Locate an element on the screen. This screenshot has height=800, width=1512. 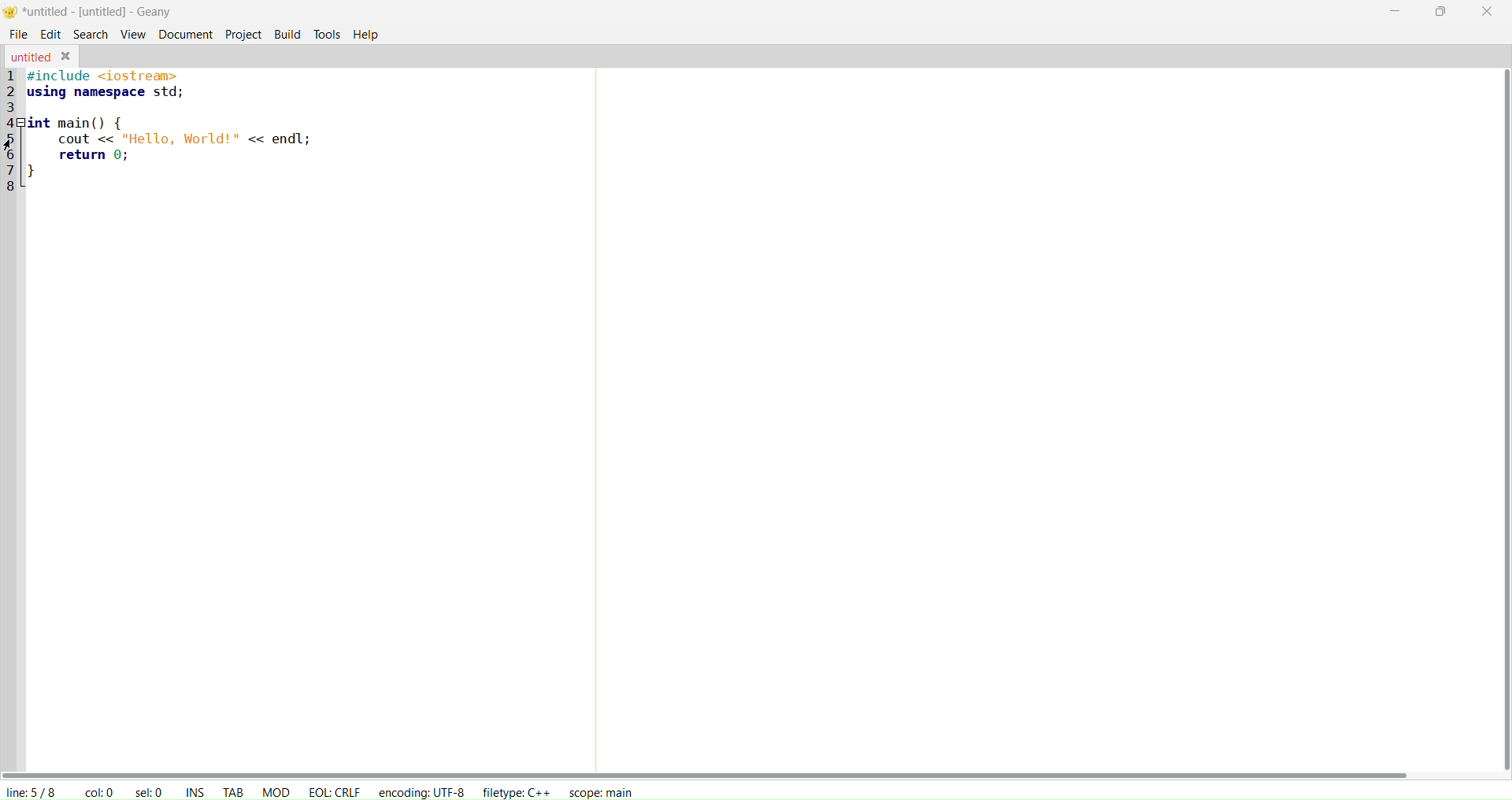
untitled is located at coordinates (30, 57).